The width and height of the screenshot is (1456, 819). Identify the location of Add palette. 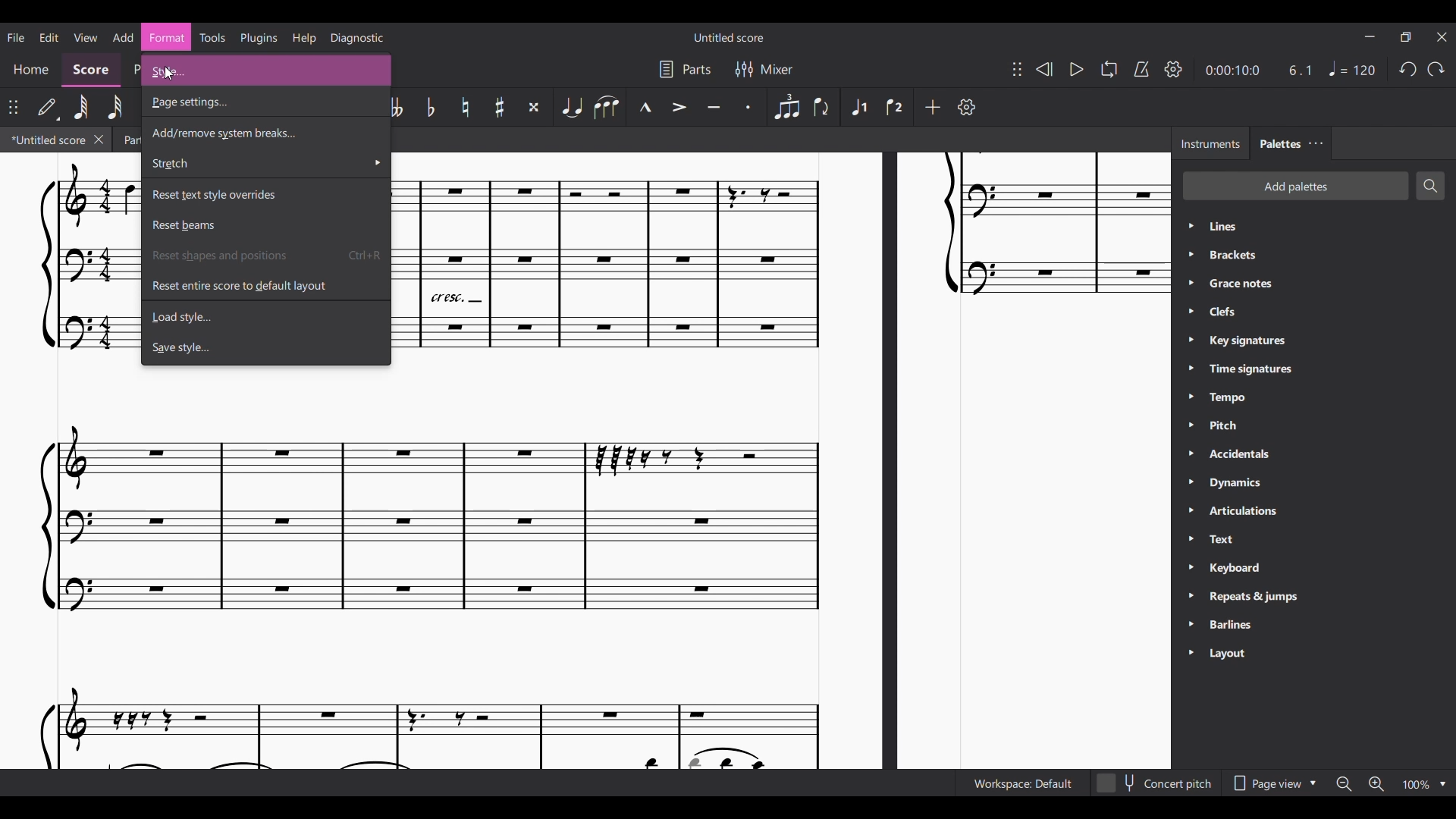
(1295, 187).